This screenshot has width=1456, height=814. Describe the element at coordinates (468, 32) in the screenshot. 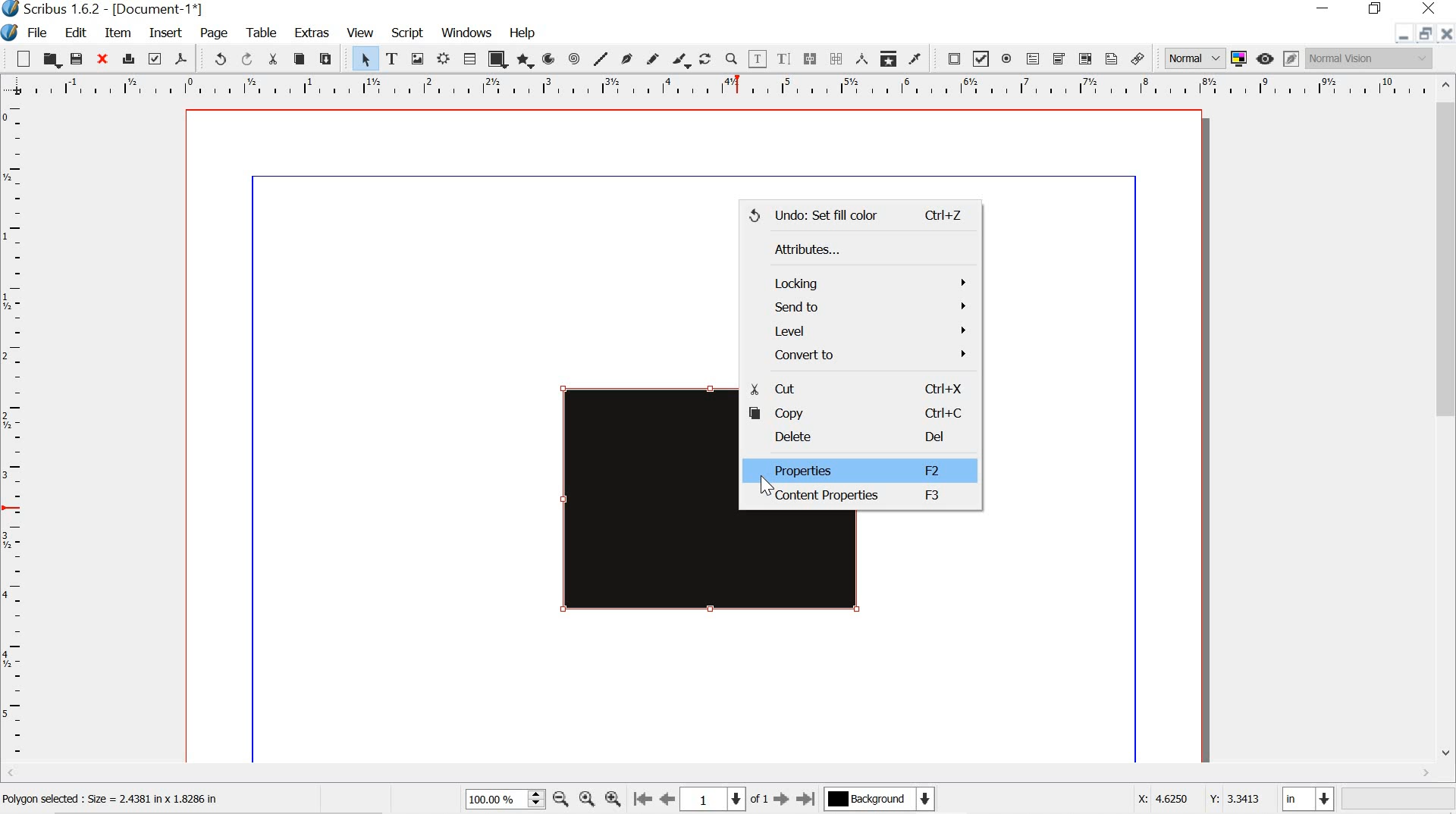

I see `windows` at that location.